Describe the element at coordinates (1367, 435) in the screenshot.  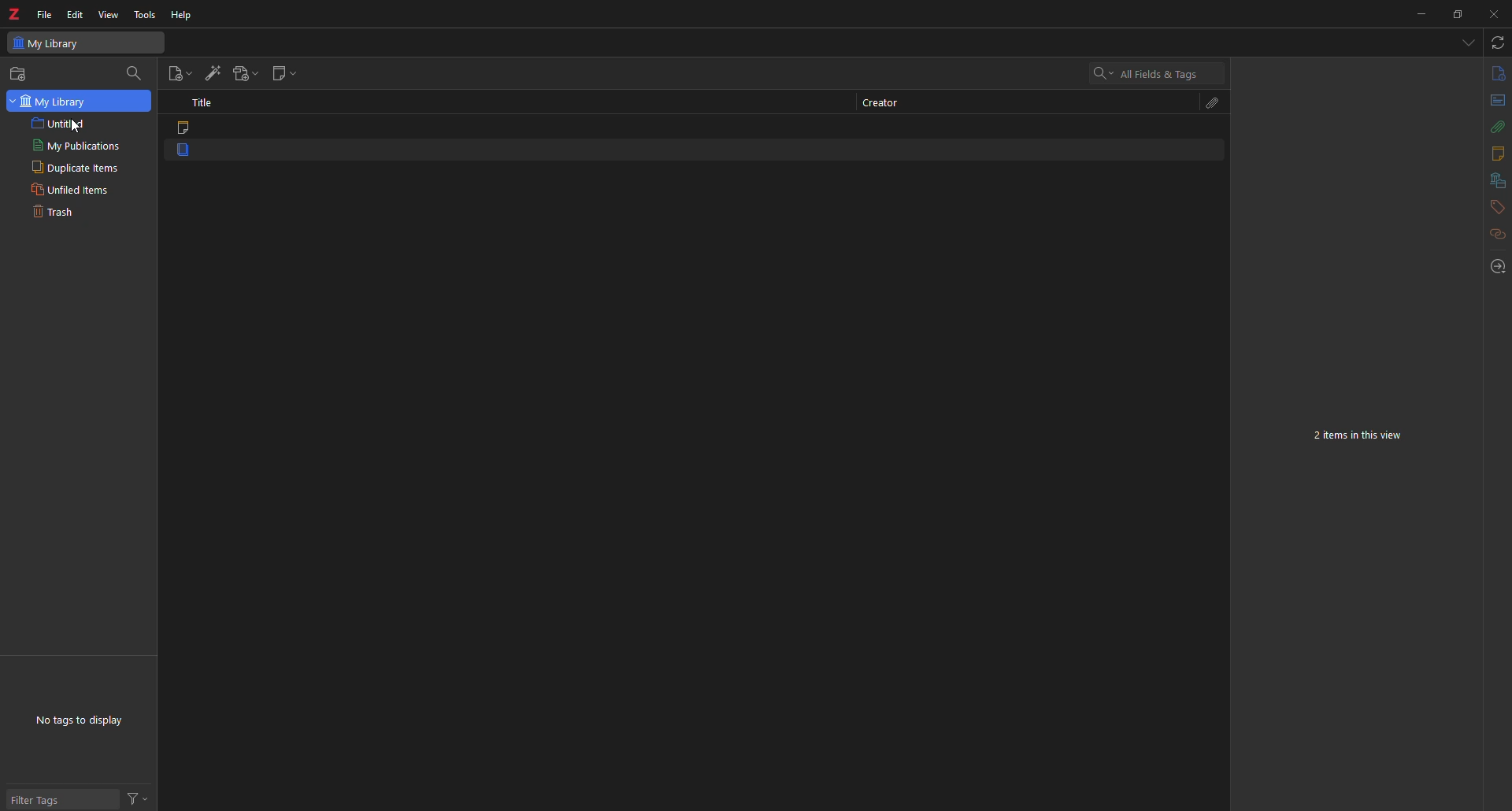
I see `2 items in this view` at that location.